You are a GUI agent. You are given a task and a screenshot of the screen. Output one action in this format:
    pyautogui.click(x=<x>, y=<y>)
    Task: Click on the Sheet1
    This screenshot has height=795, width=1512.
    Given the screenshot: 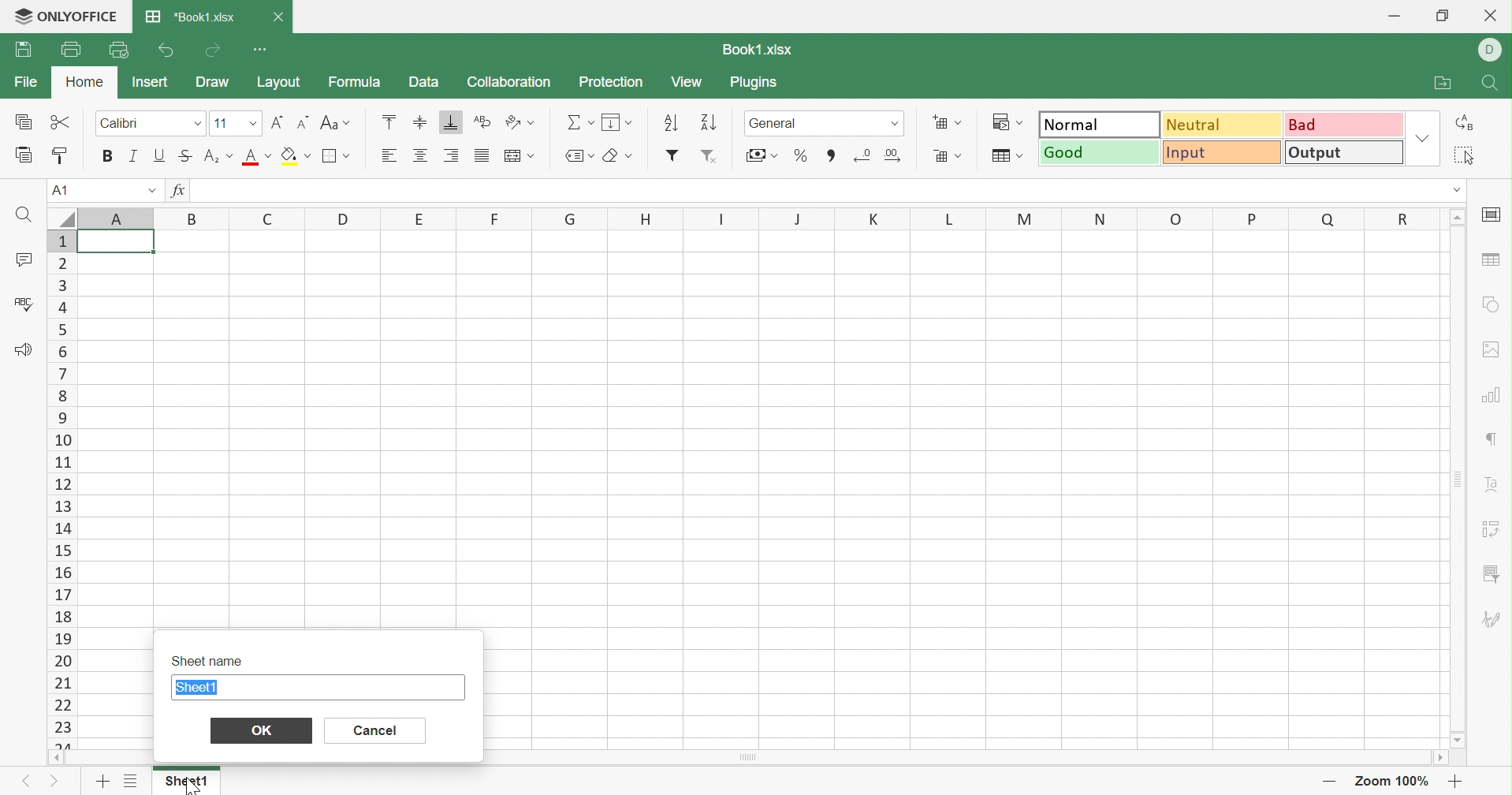 What is the action you would take?
    pyautogui.click(x=188, y=785)
    